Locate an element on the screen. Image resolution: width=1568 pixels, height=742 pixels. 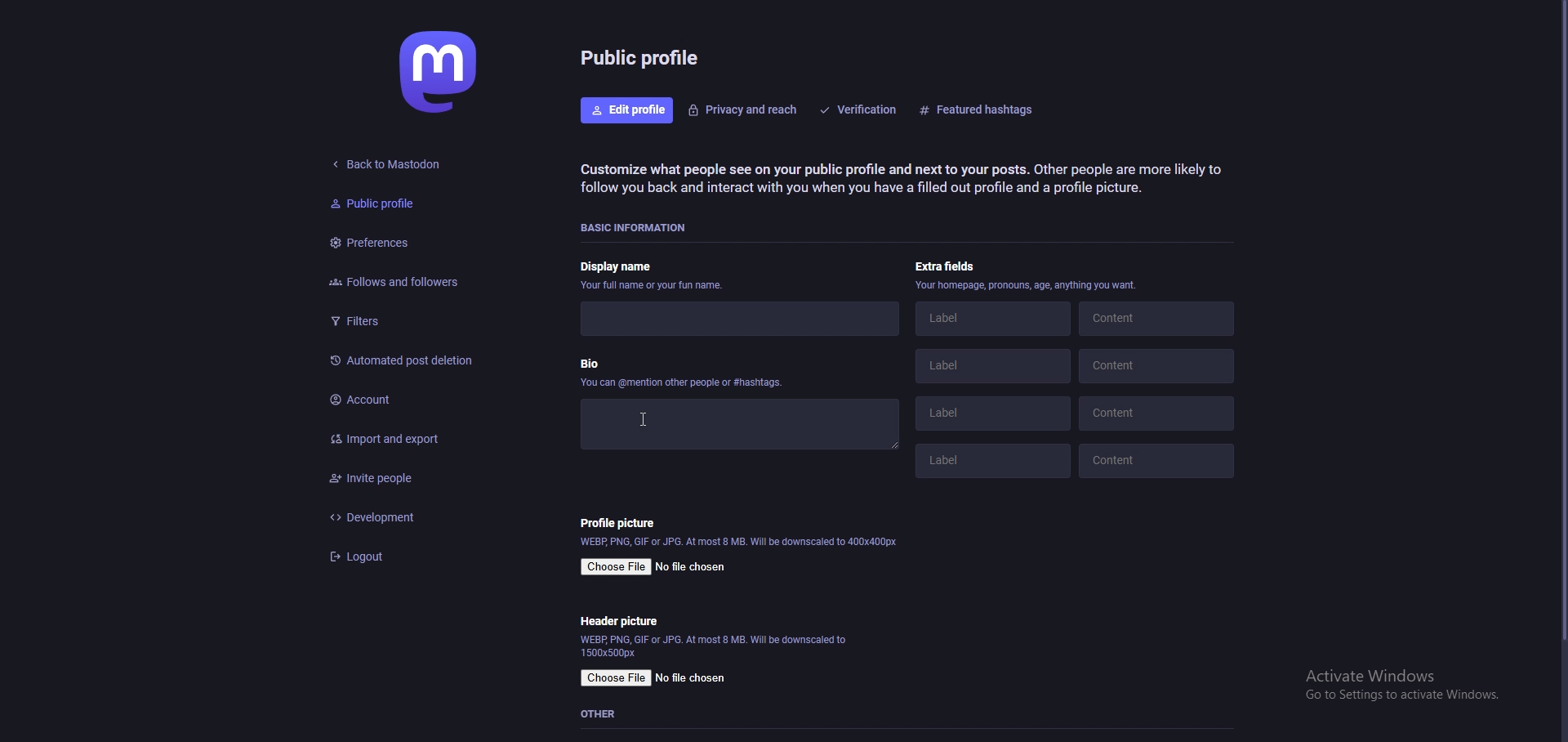
import and export is located at coordinates (413, 440).